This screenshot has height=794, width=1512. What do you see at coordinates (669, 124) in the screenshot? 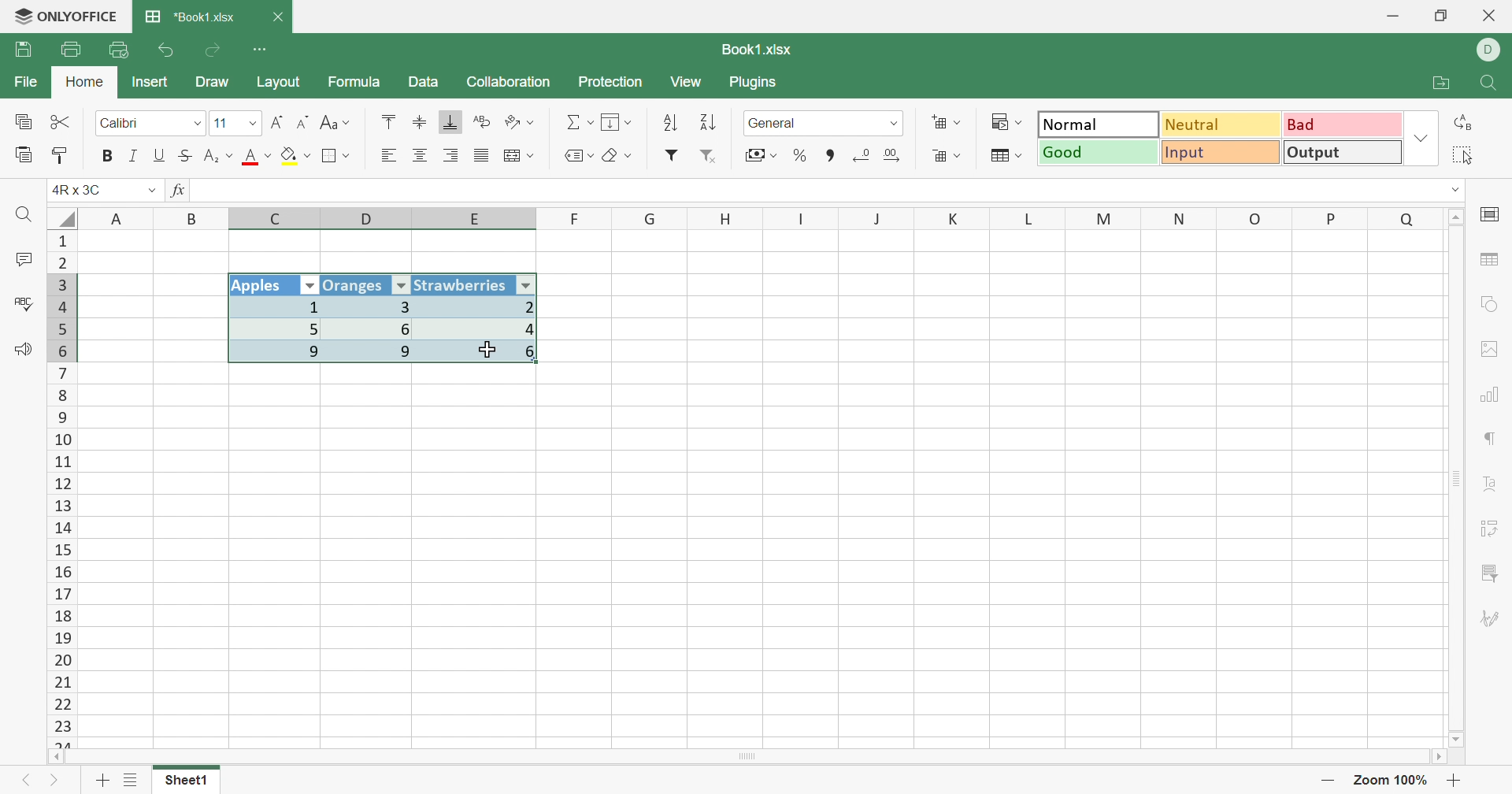
I see `Ascending order` at bounding box center [669, 124].